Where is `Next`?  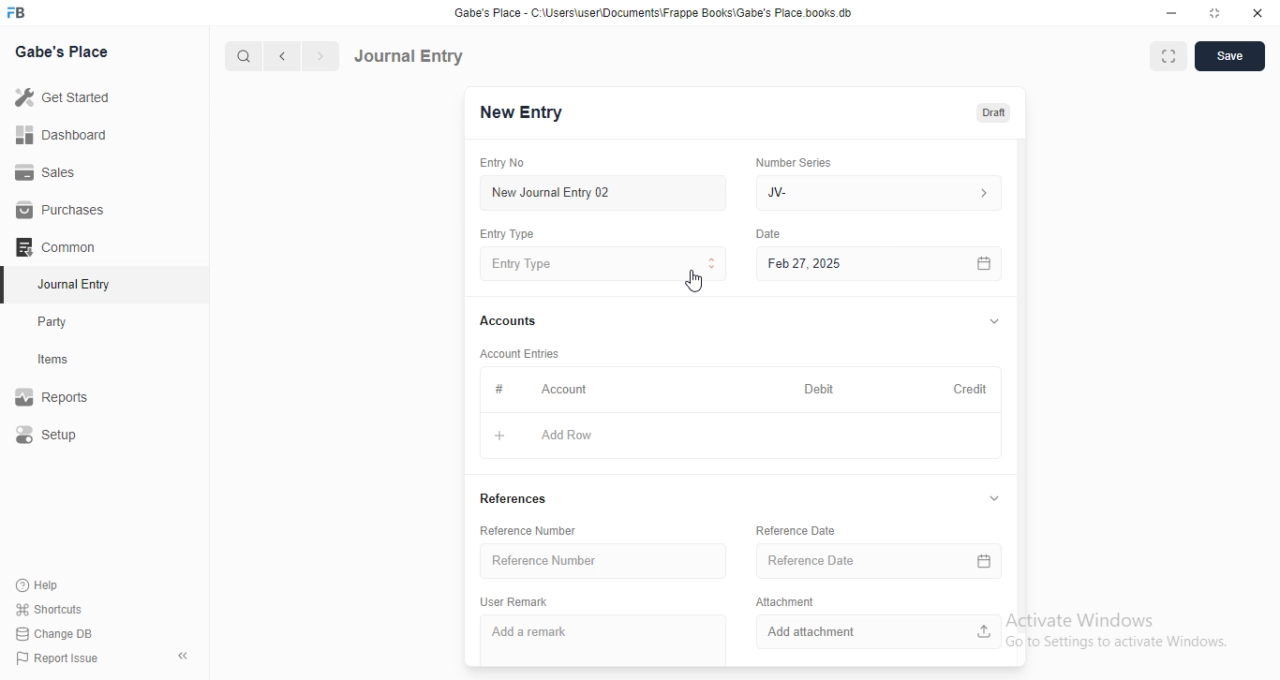 Next is located at coordinates (319, 56).